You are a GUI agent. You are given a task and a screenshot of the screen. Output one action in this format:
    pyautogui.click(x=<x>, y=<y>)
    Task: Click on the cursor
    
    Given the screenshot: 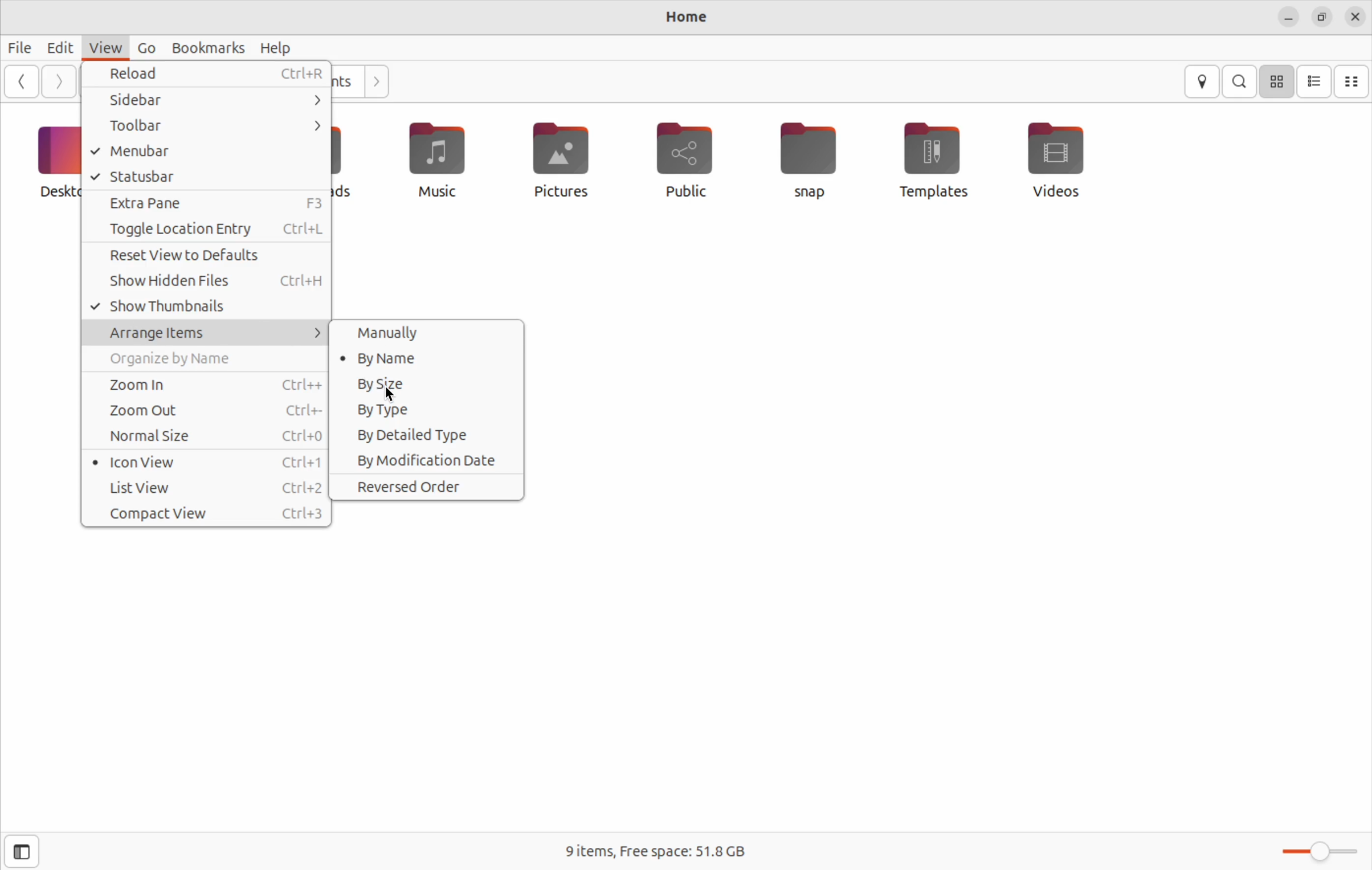 What is the action you would take?
    pyautogui.click(x=395, y=397)
    